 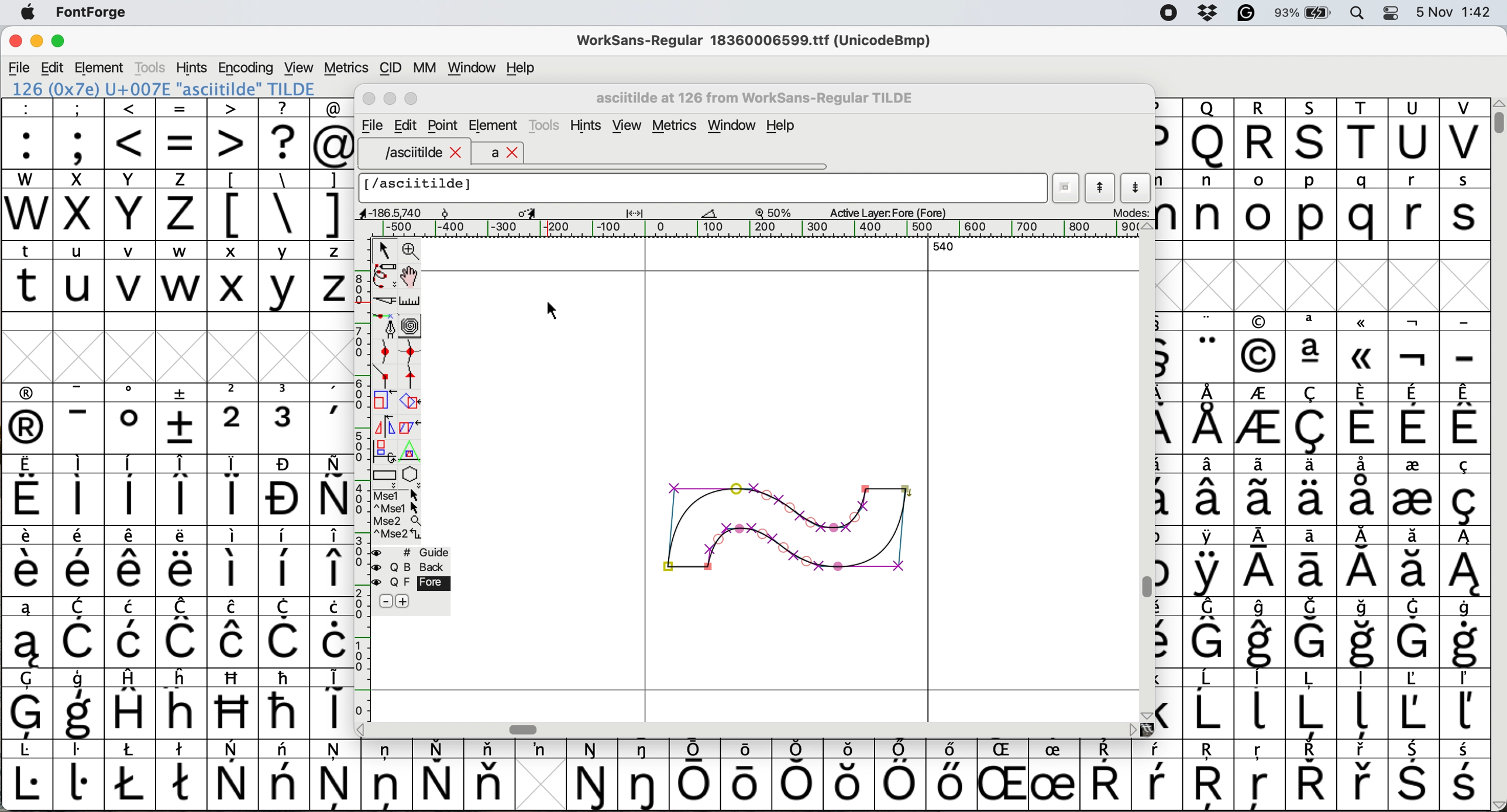 I want to click on fontforge, so click(x=95, y=13).